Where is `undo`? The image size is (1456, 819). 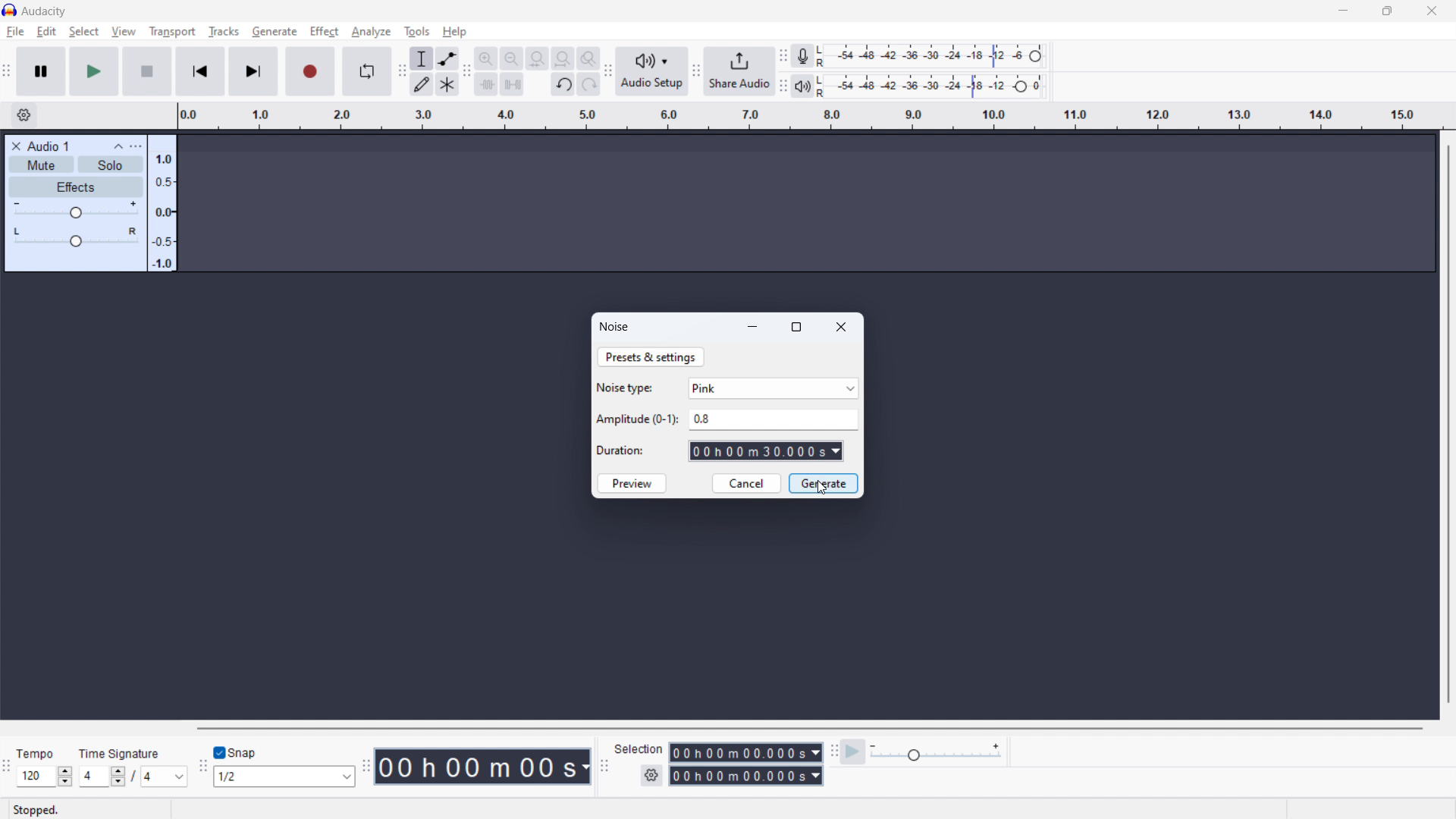
undo is located at coordinates (563, 84).